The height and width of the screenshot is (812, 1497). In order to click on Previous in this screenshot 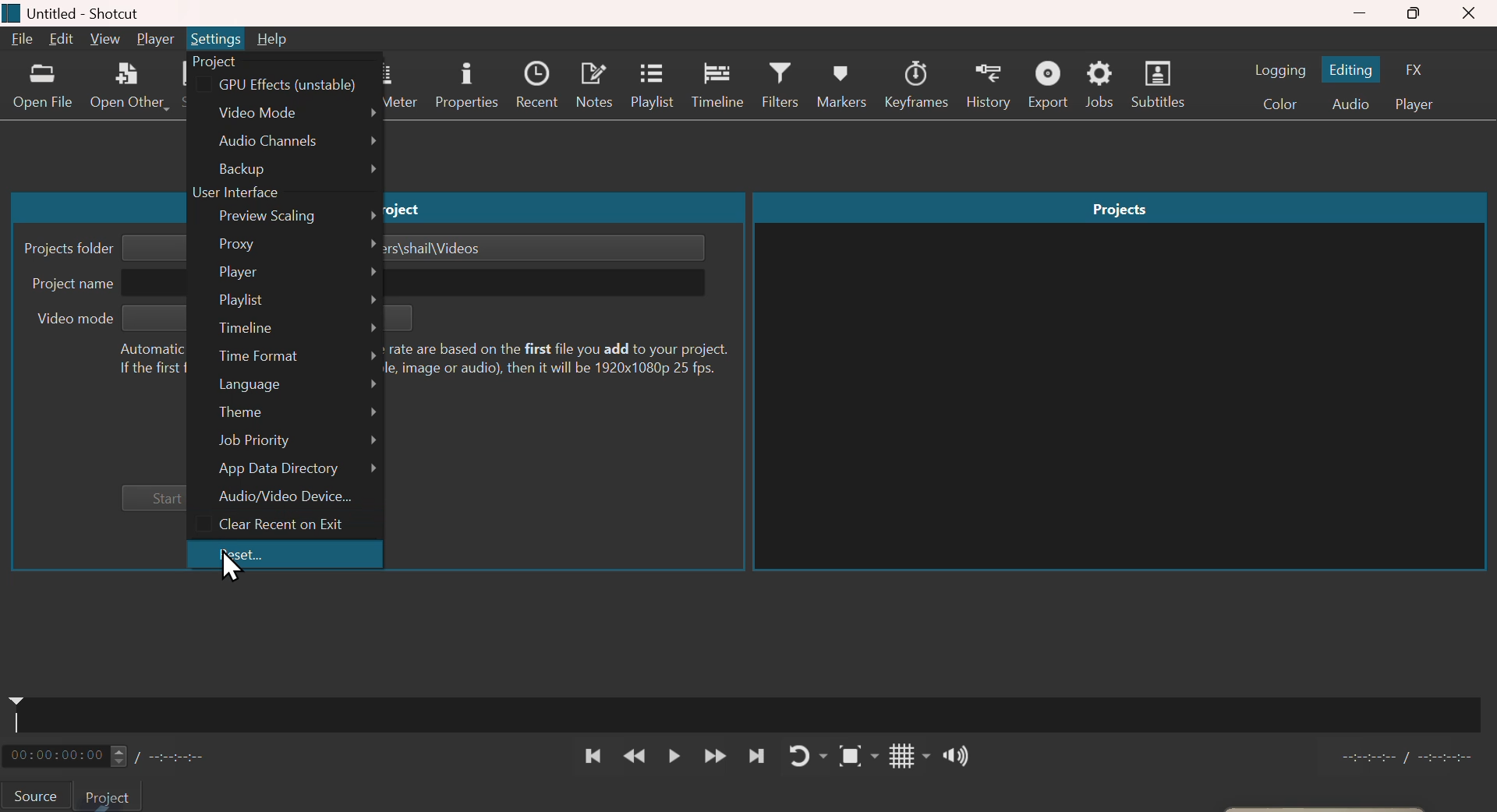, I will do `click(593, 756)`.